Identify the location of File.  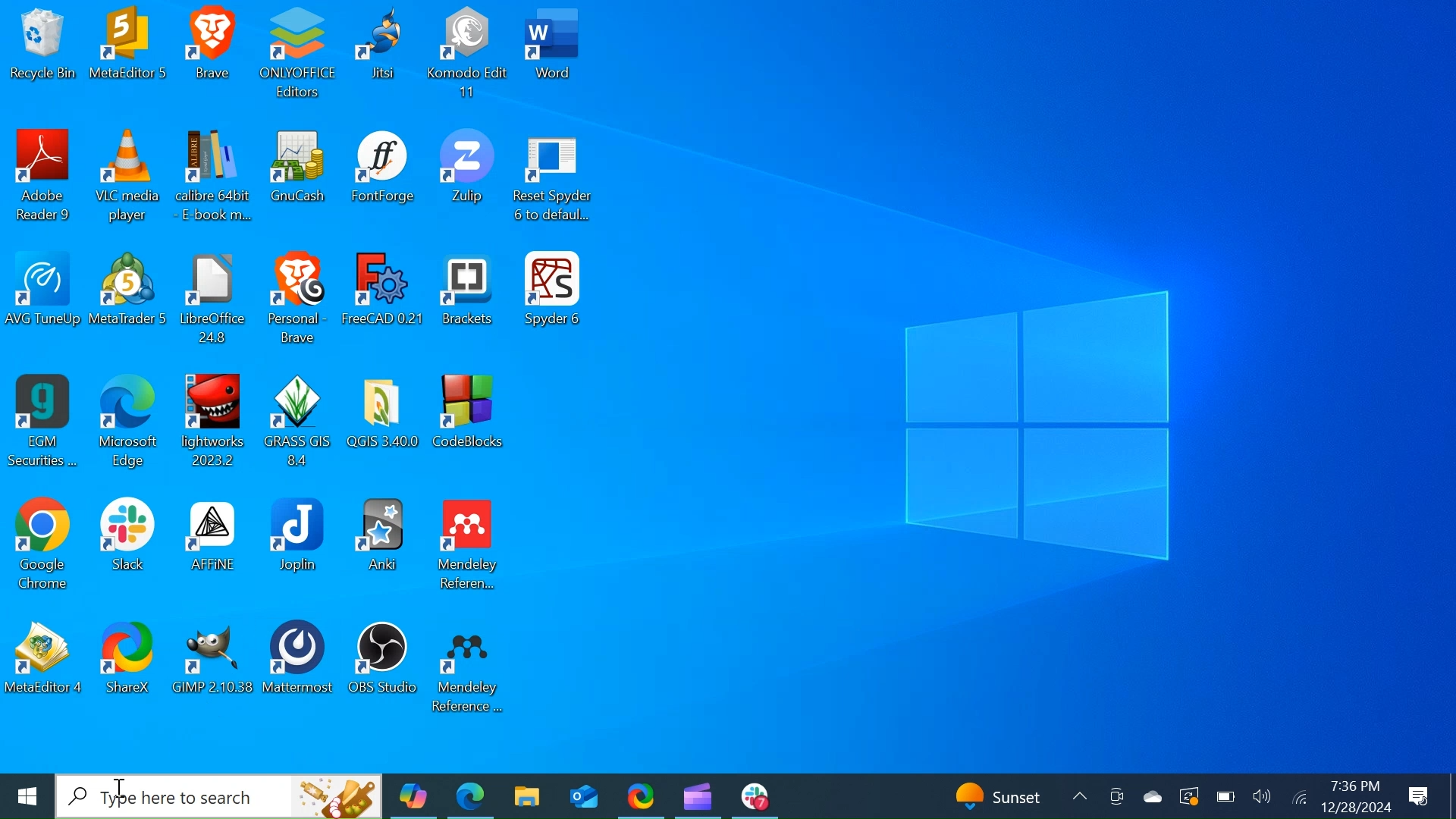
(213, 300).